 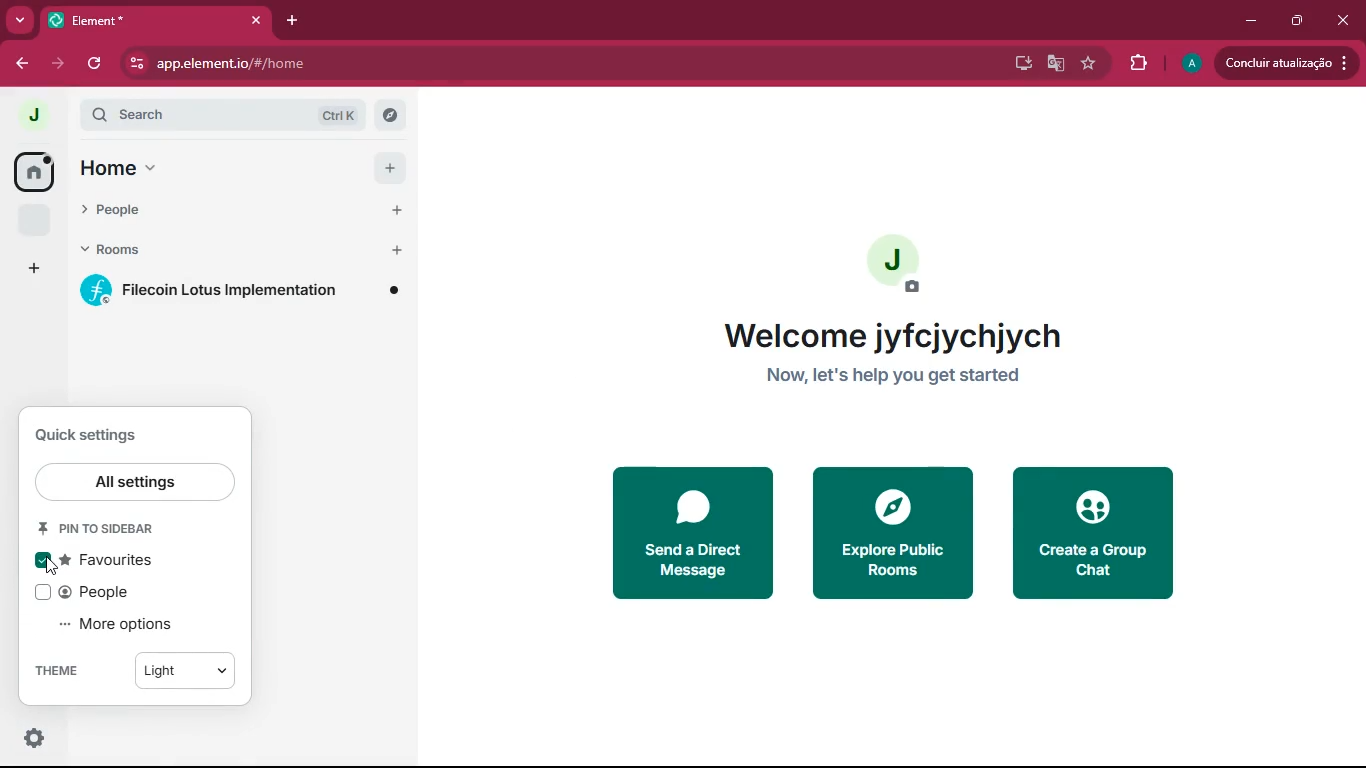 I want to click on Favourites, so click(x=109, y=560).